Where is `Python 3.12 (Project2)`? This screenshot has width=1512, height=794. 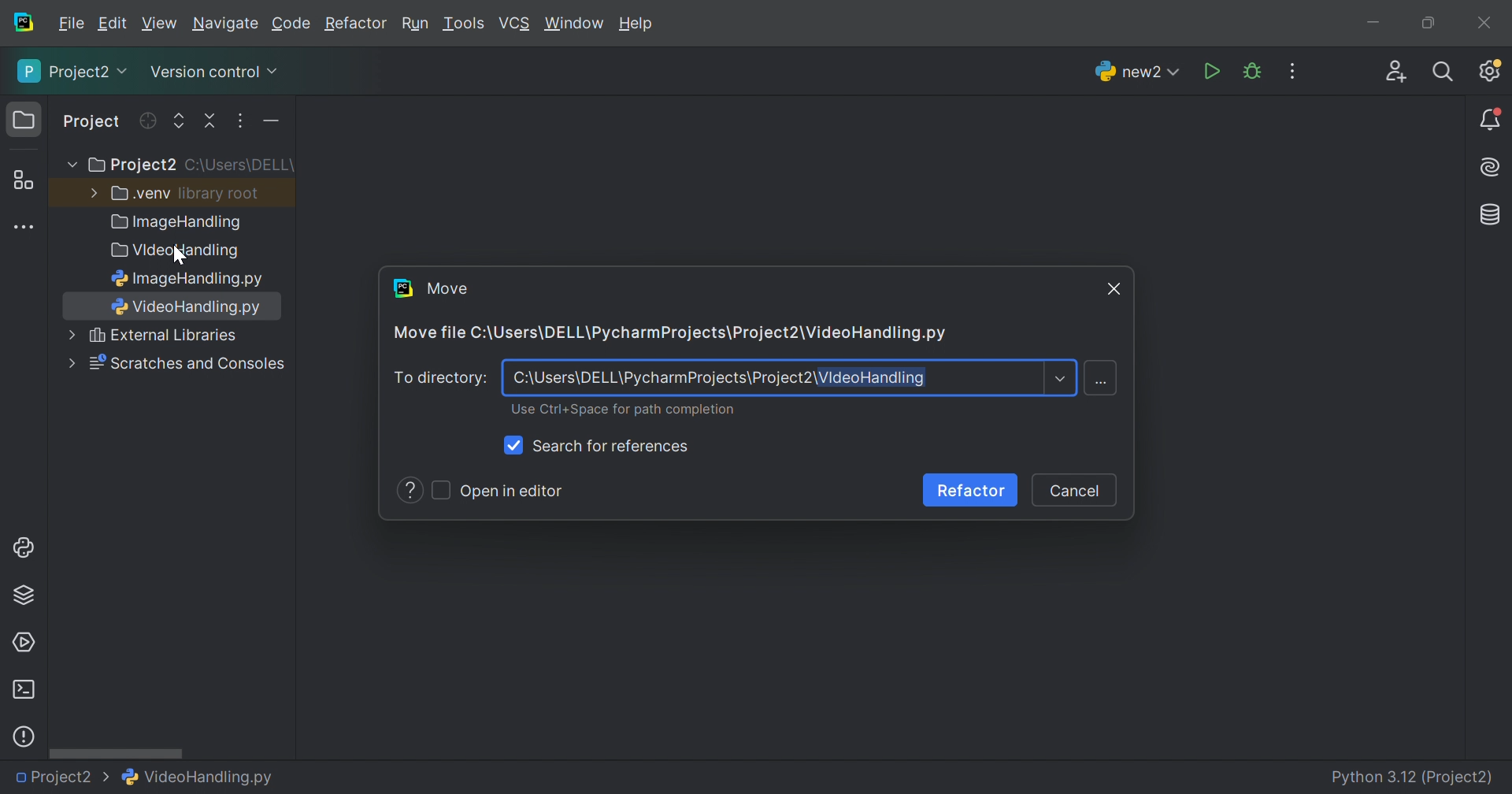 Python 3.12 (Project2) is located at coordinates (1414, 778).